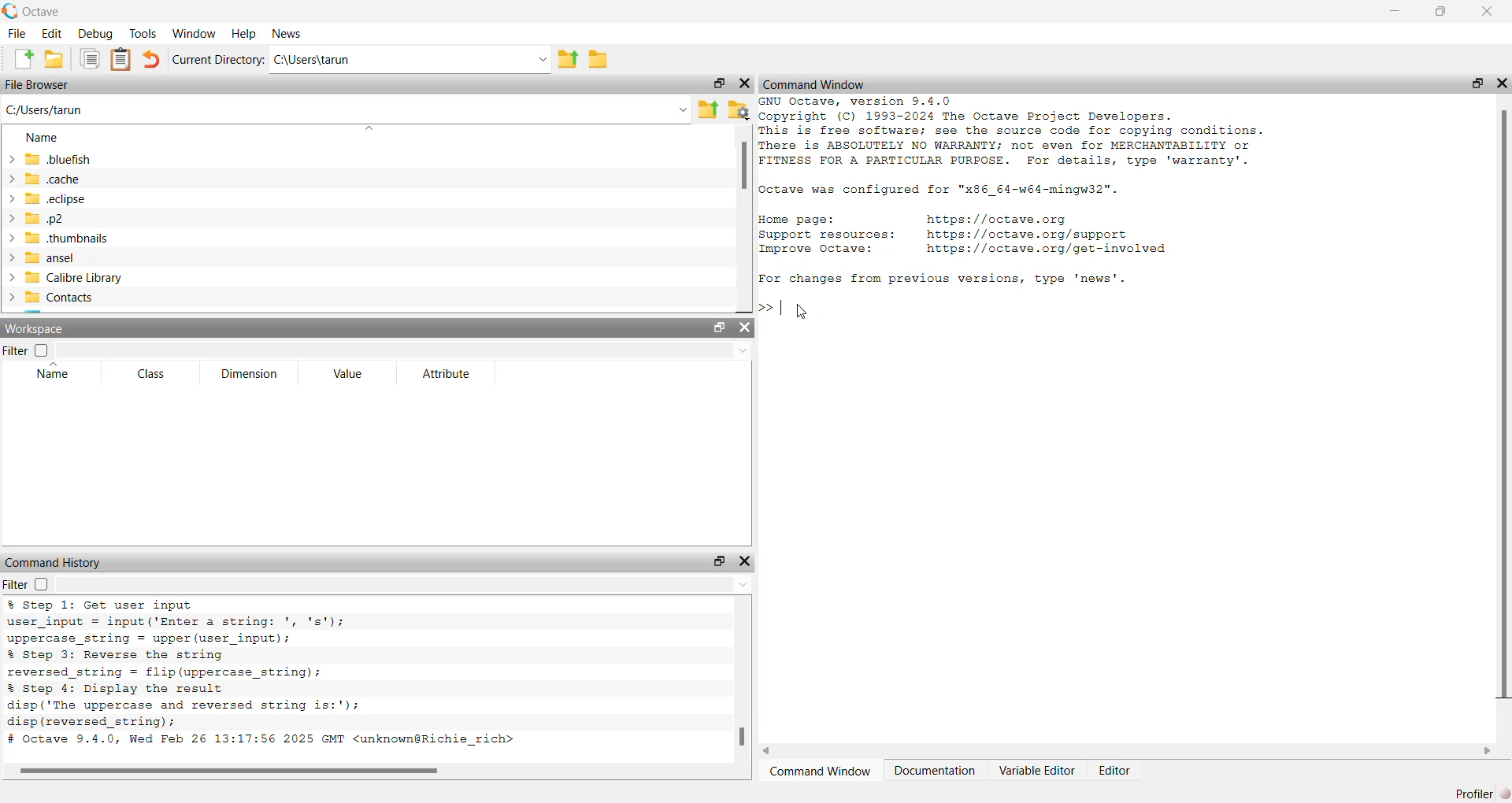 The width and height of the screenshot is (1512, 803). I want to click on filter input field, so click(409, 353).